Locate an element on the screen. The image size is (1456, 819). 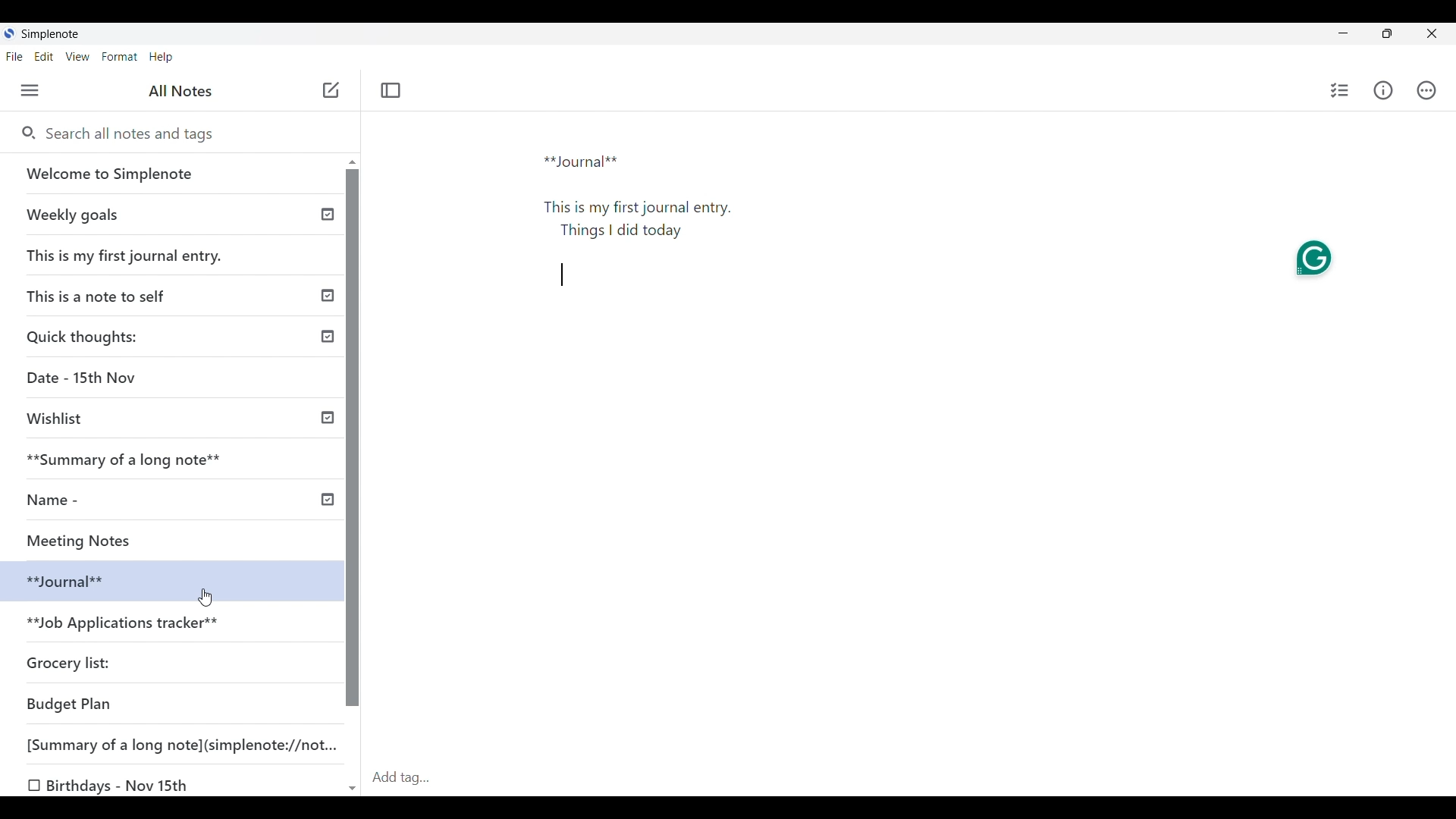
Close interface is located at coordinates (1431, 33).